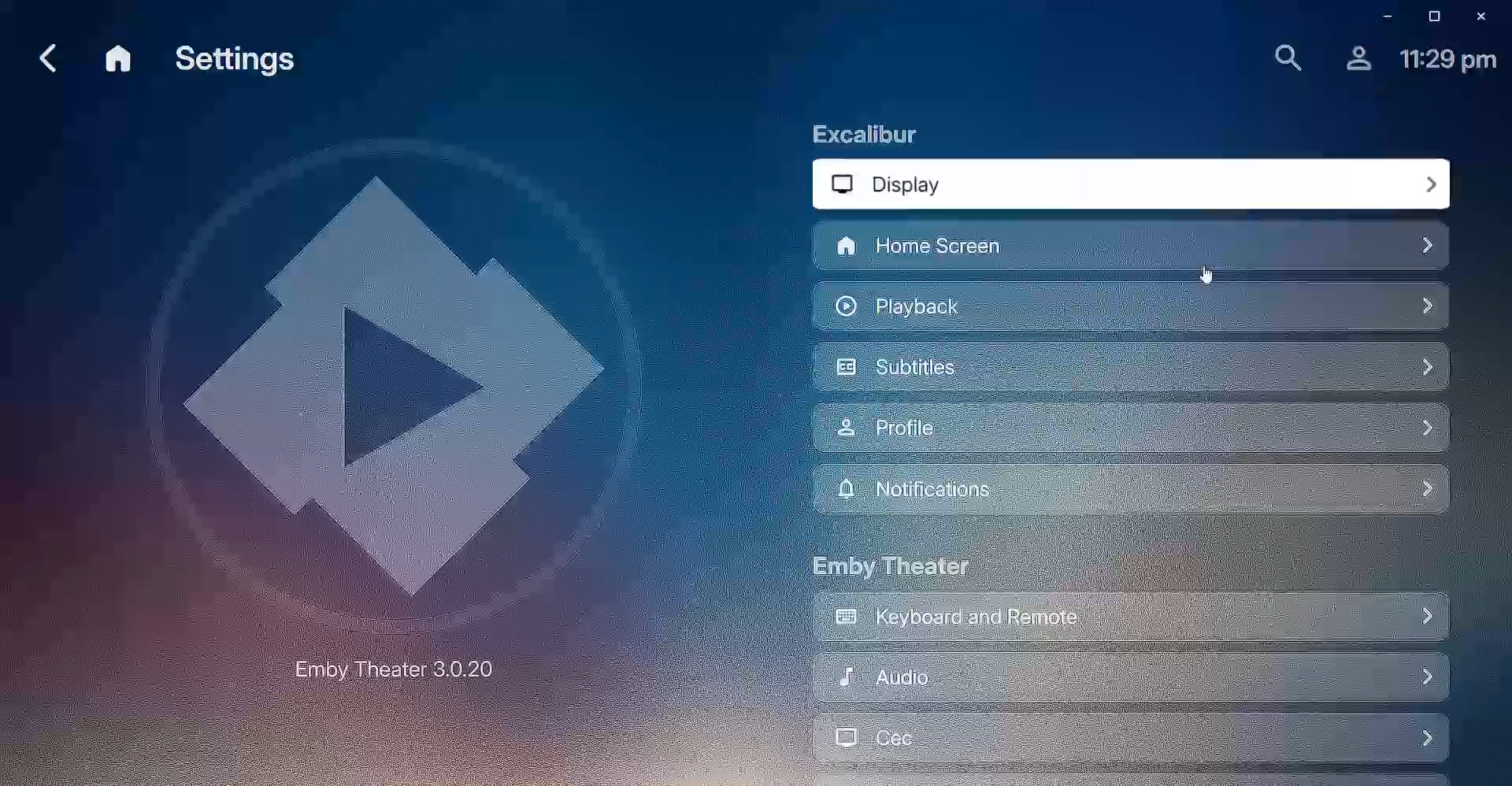  I want to click on Home, so click(116, 60).